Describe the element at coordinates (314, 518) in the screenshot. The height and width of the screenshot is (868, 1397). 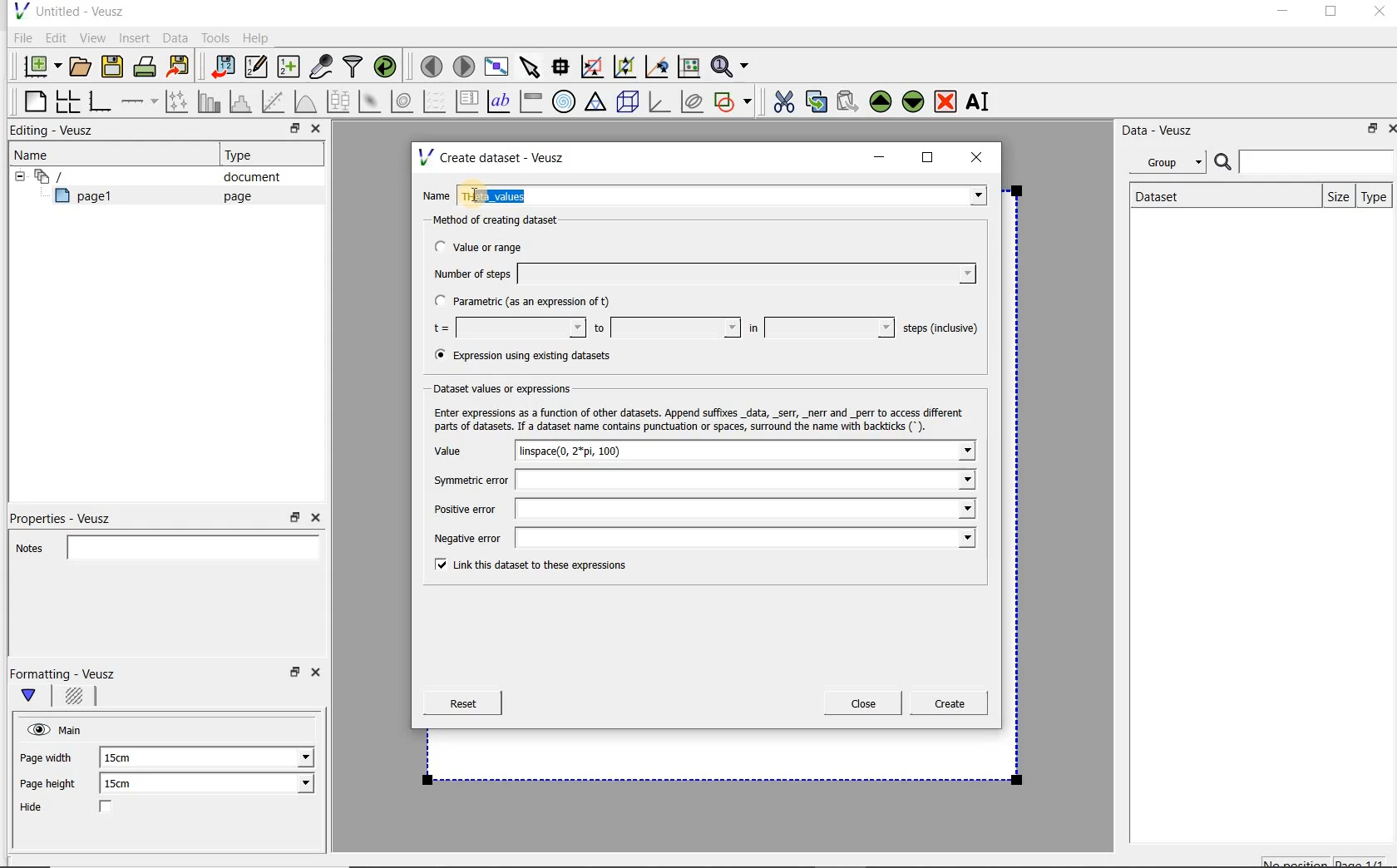
I see `Close` at that location.